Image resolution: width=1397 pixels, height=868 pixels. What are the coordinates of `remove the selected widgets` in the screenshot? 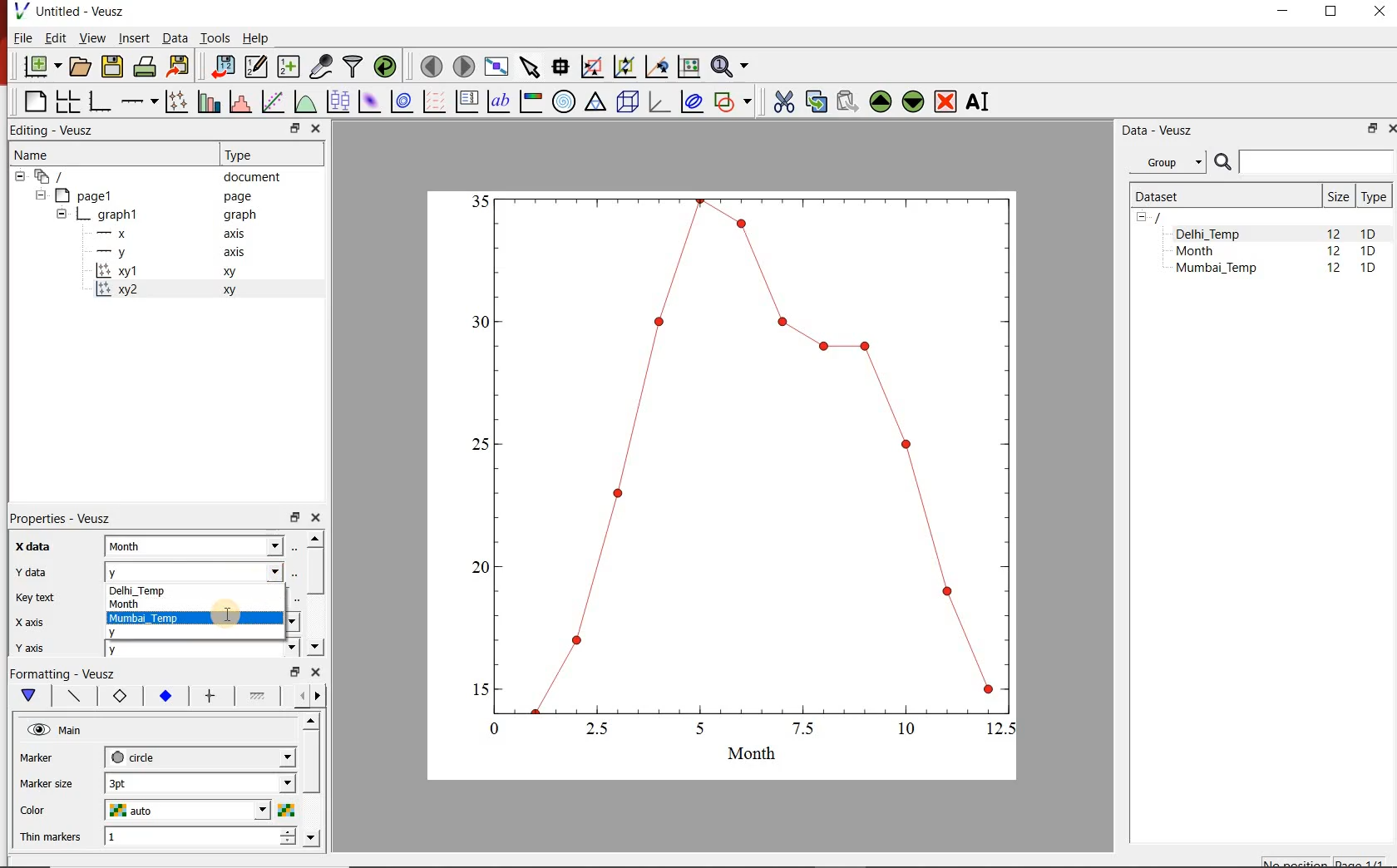 It's located at (946, 101).